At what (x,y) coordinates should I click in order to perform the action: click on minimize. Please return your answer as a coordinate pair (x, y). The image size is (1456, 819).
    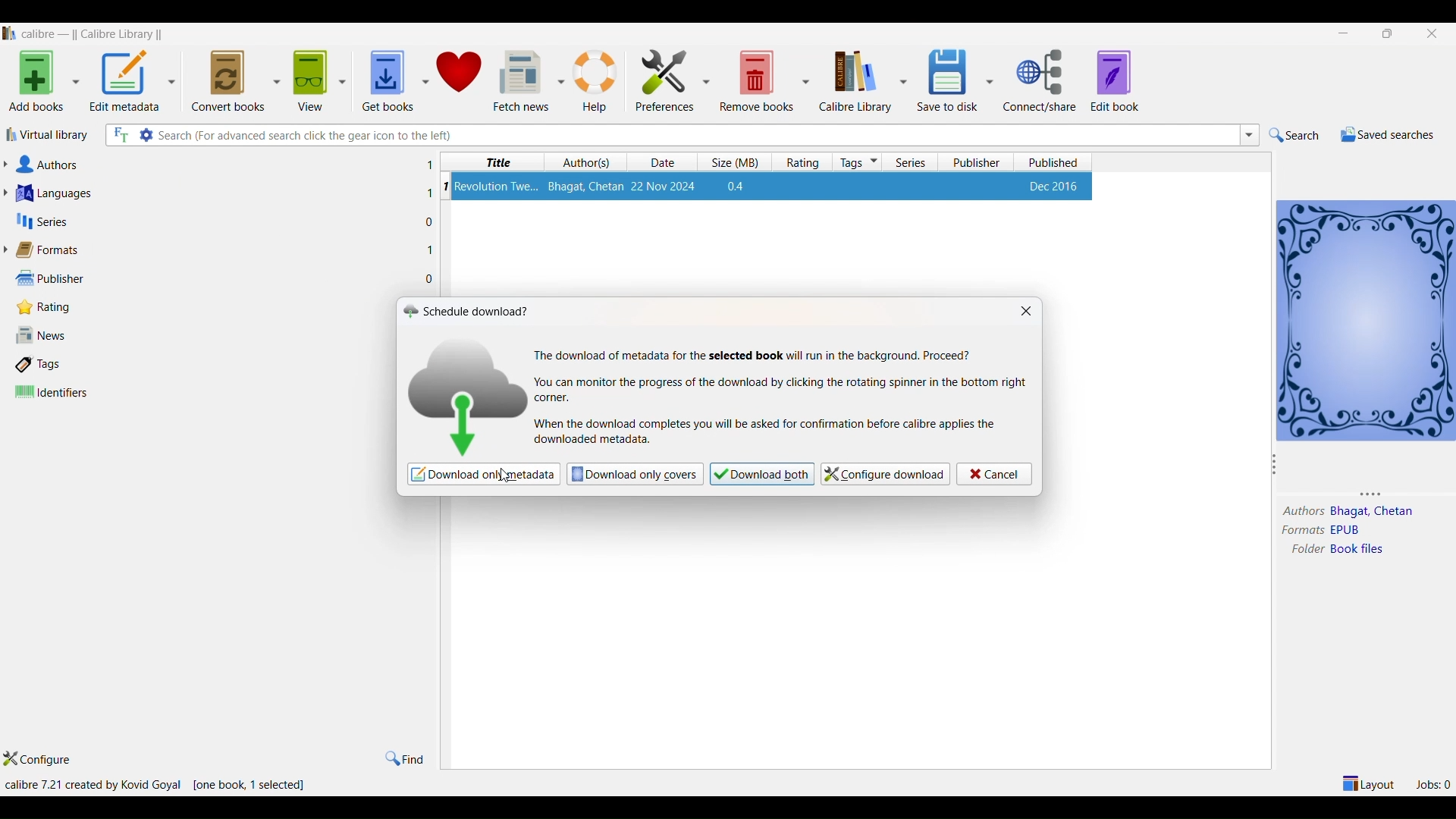
    Looking at the image, I should click on (1341, 32).